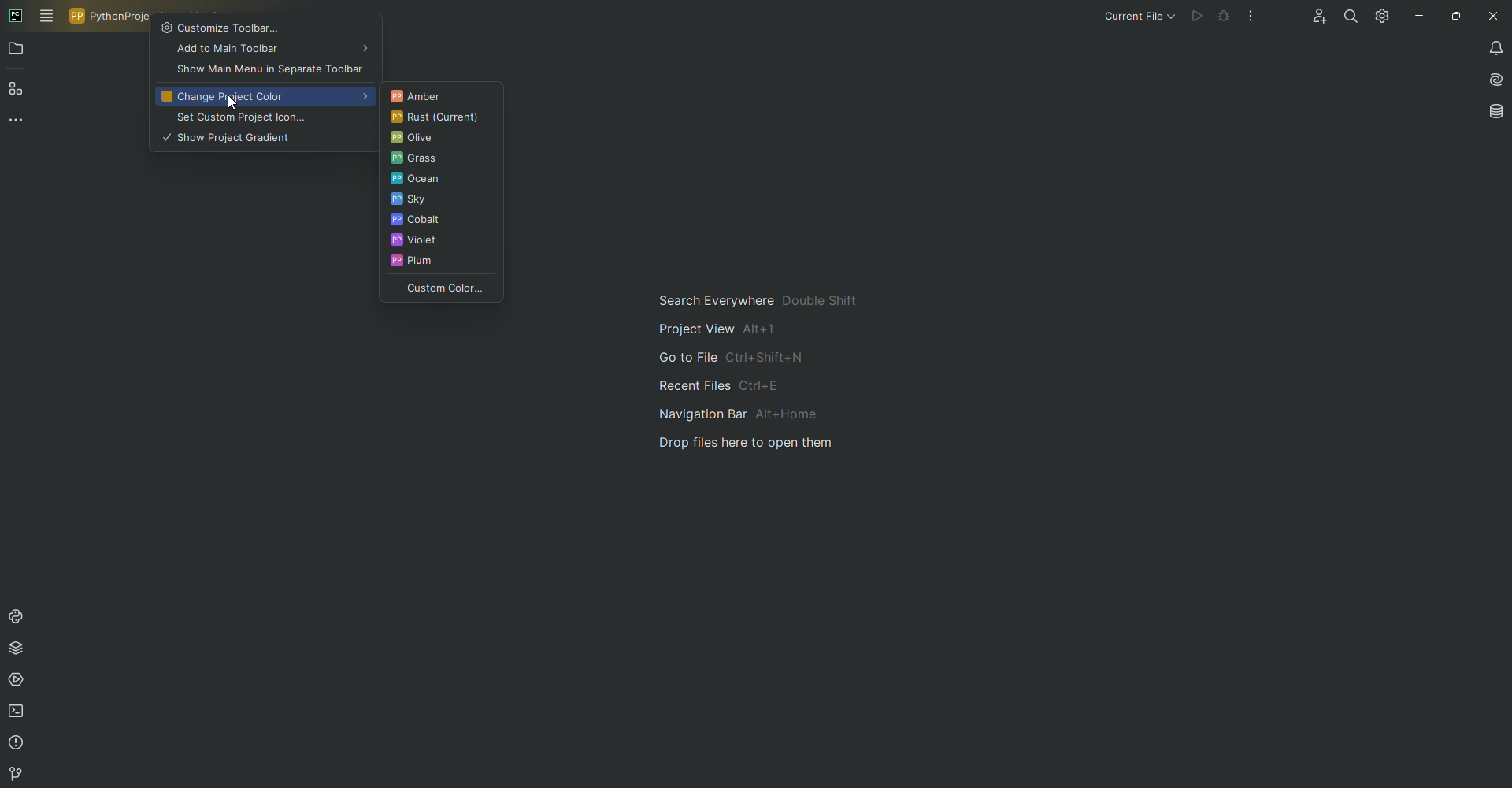 This screenshot has height=788, width=1512. Describe the element at coordinates (112, 16) in the screenshot. I see `Python Project` at that location.